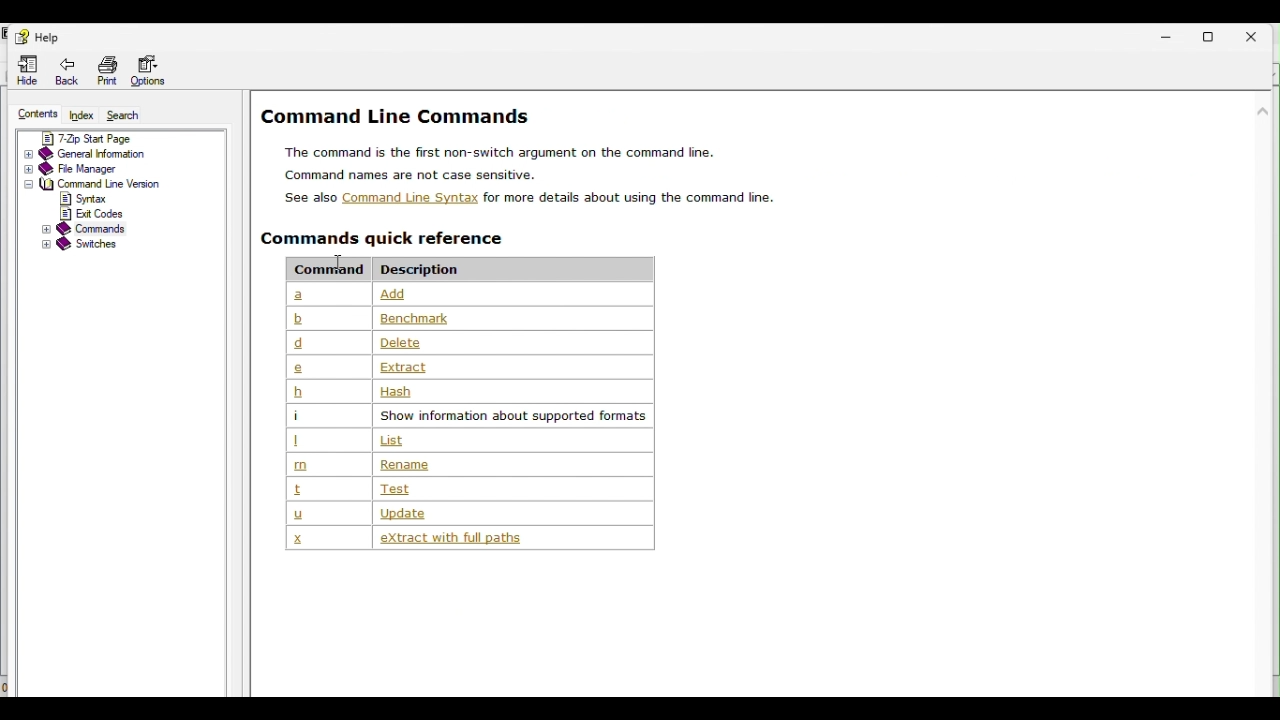 This screenshot has height=720, width=1280. I want to click on Minimize, so click(1169, 37).